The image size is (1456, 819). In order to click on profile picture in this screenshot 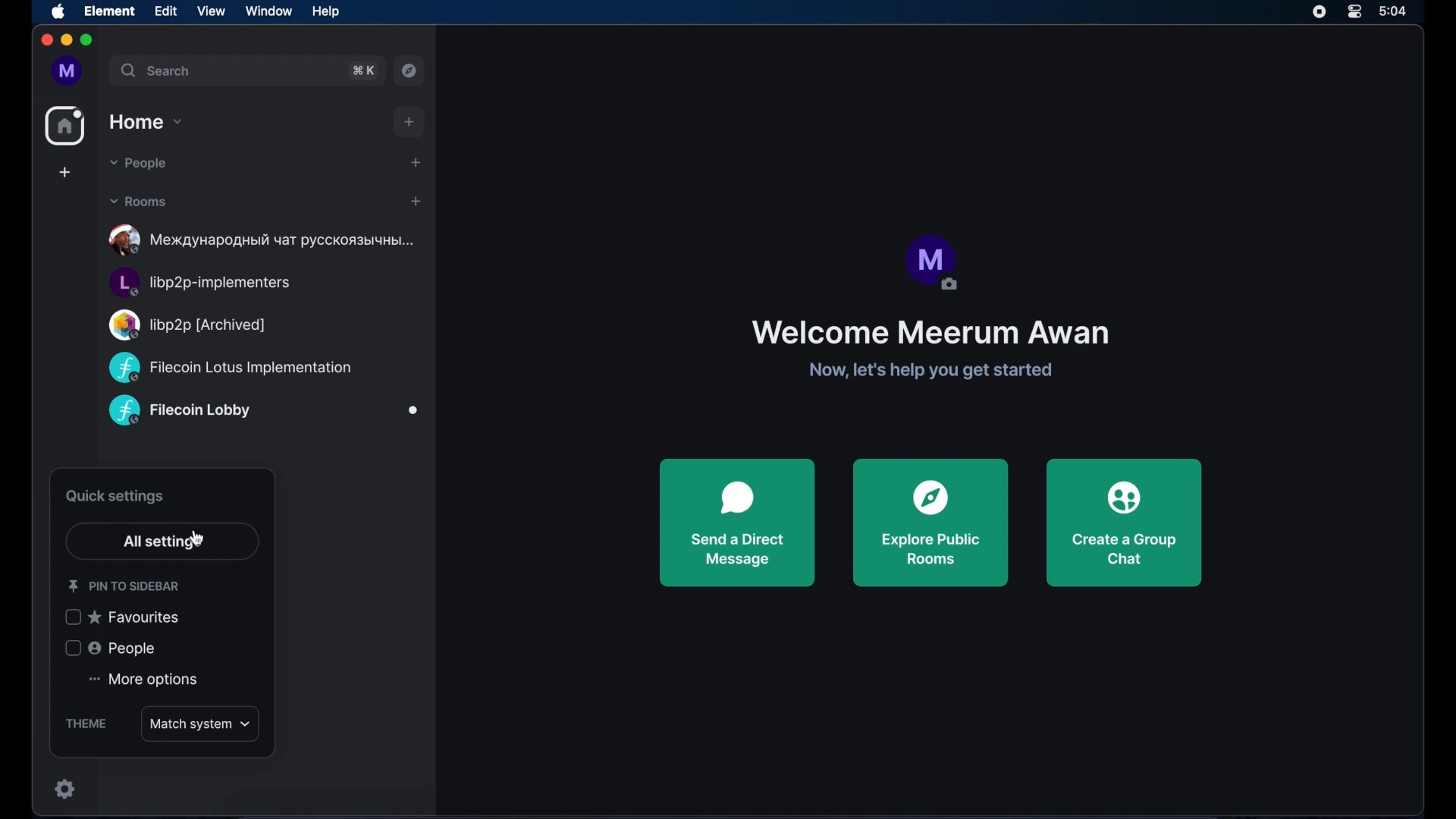, I will do `click(930, 263)`.